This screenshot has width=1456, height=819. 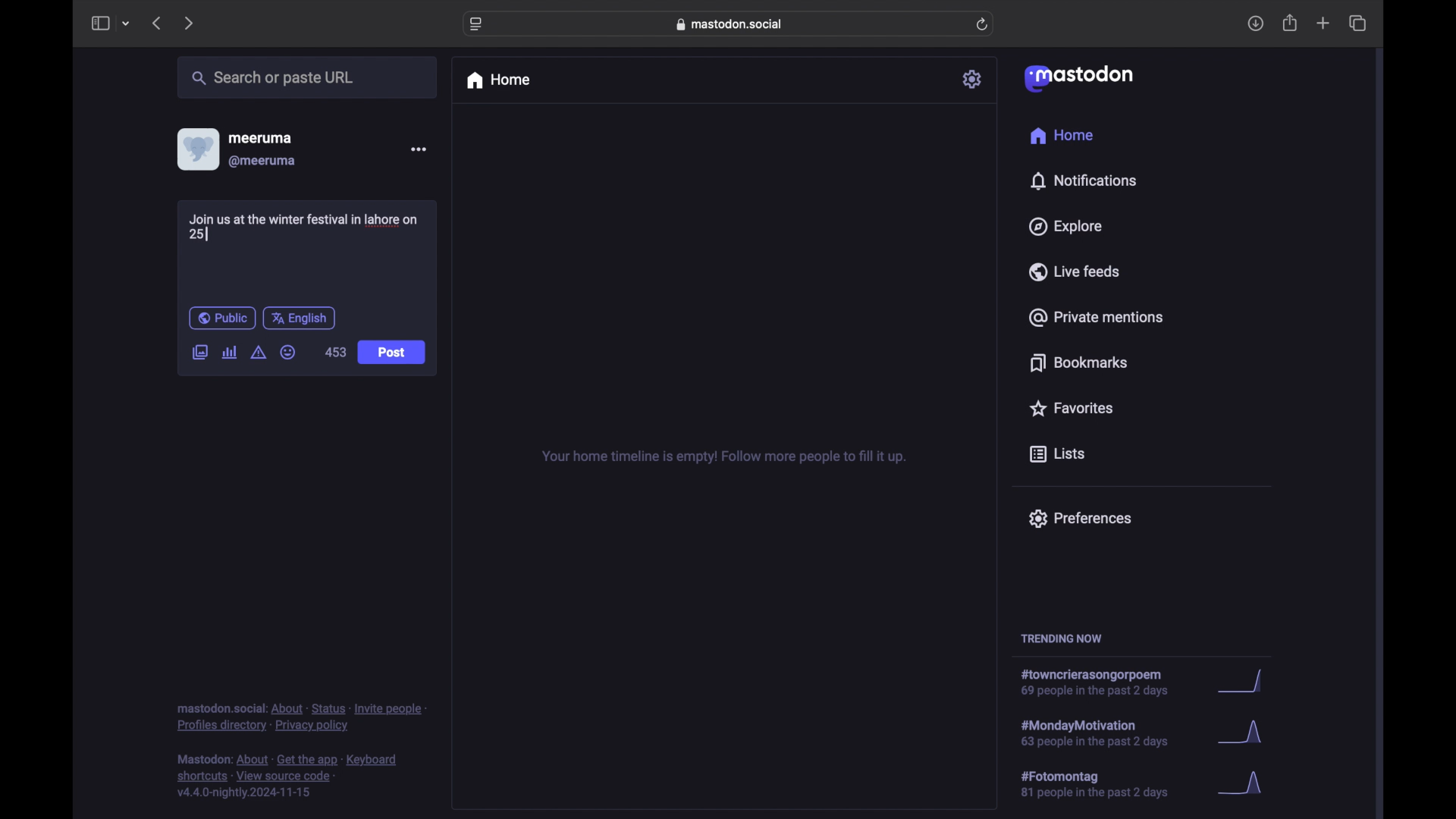 What do you see at coordinates (1070, 408) in the screenshot?
I see `favorites` at bounding box center [1070, 408].